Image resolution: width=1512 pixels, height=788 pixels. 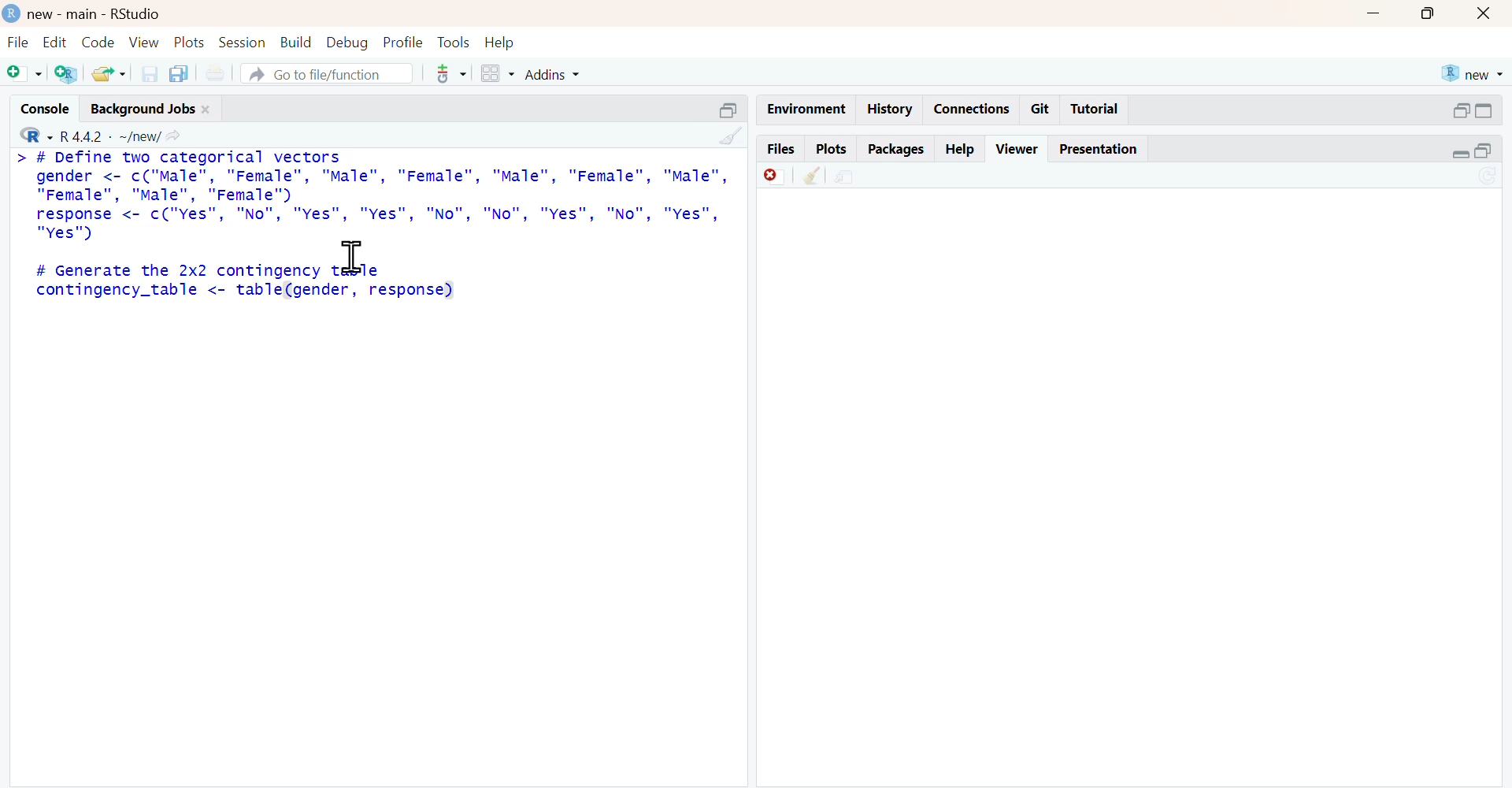 I want to click on code, so click(x=98, y=43).